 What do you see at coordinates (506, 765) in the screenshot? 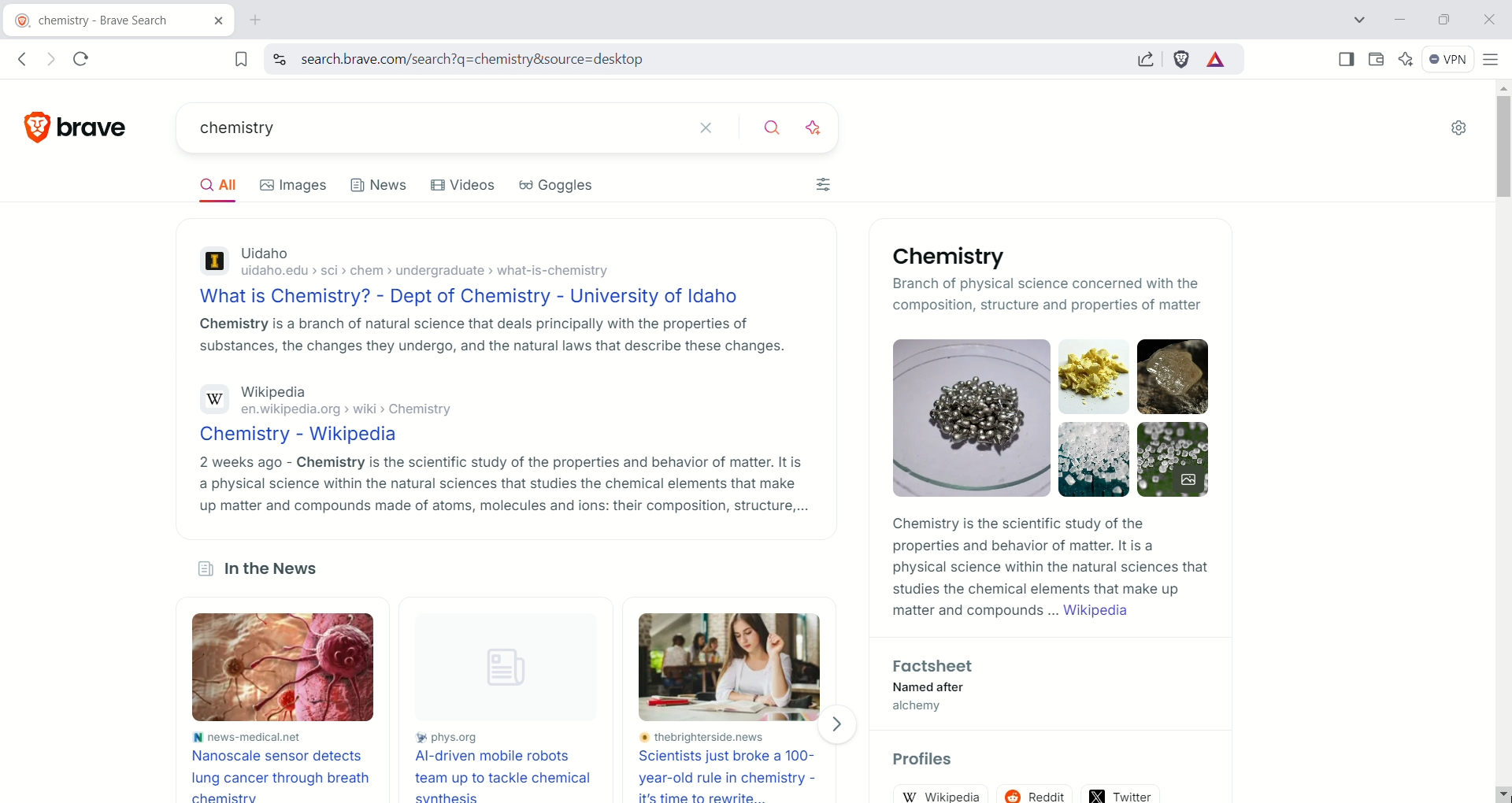
I see `phys.org AI-driven mobile robots team up to tackle chemical synthesis` at bounding box center [506, 765].